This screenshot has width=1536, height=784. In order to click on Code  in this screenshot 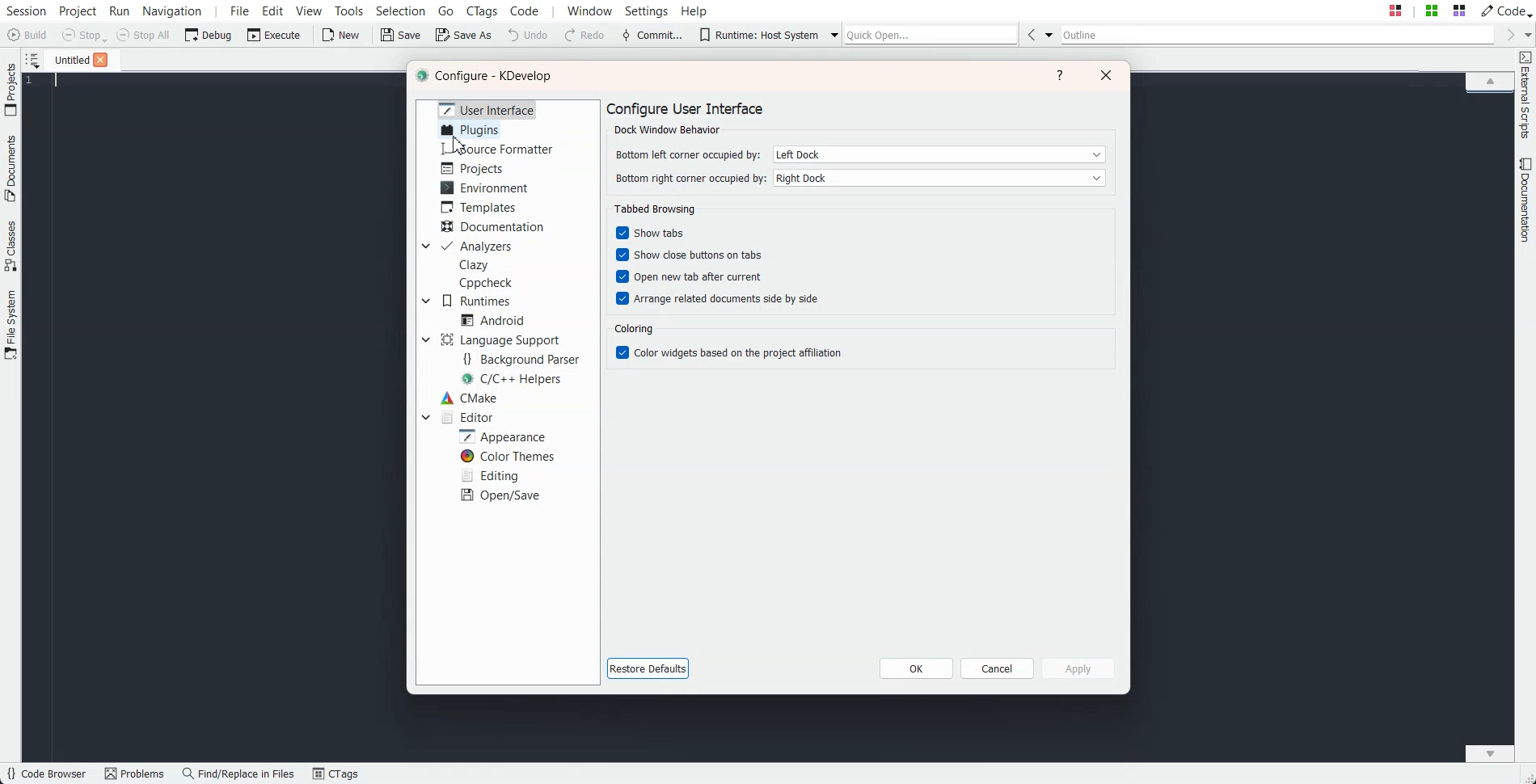, I will do `click(1504, 10)`.